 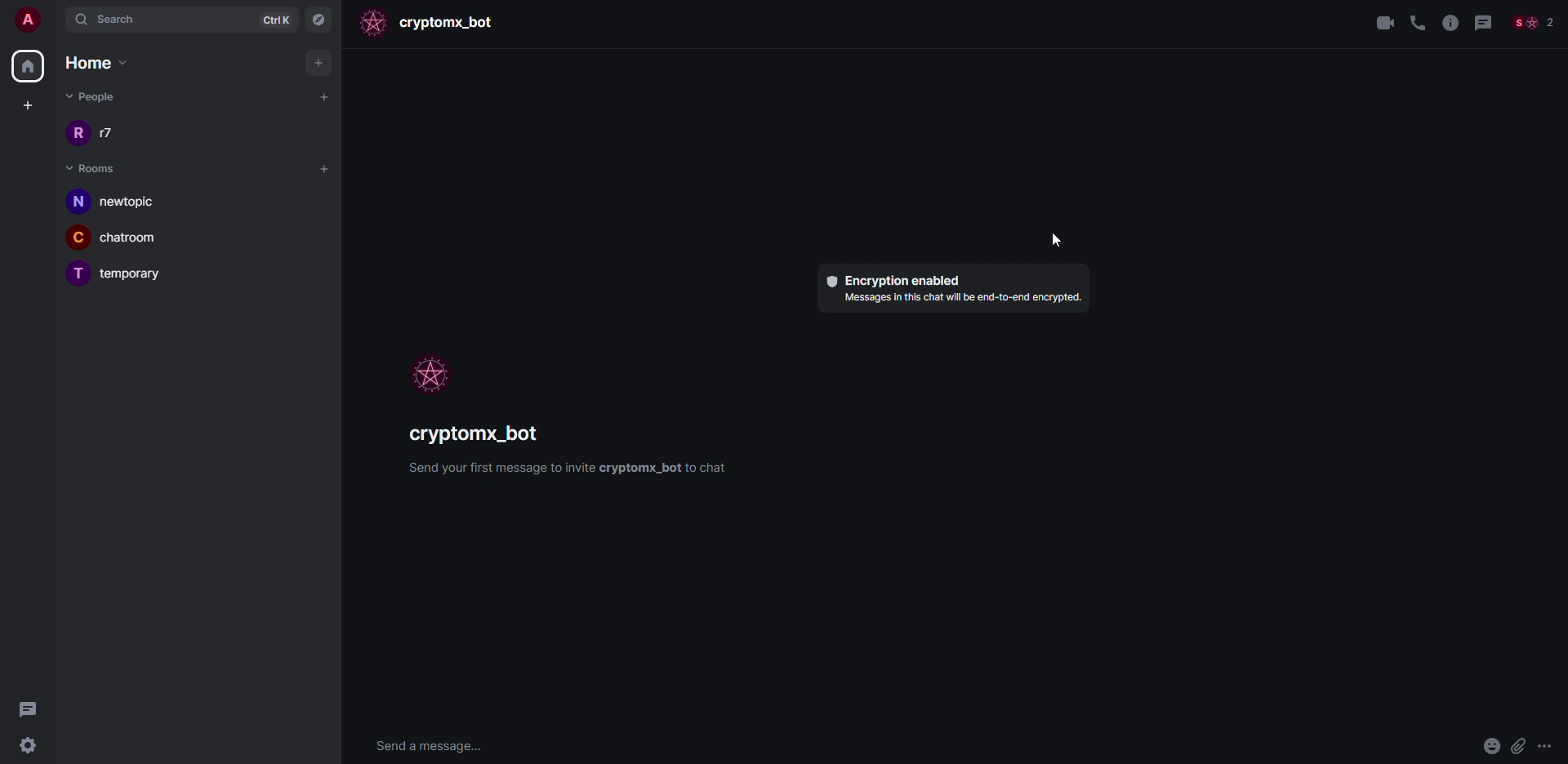 I want to click on add, so click(x=318, y=64).